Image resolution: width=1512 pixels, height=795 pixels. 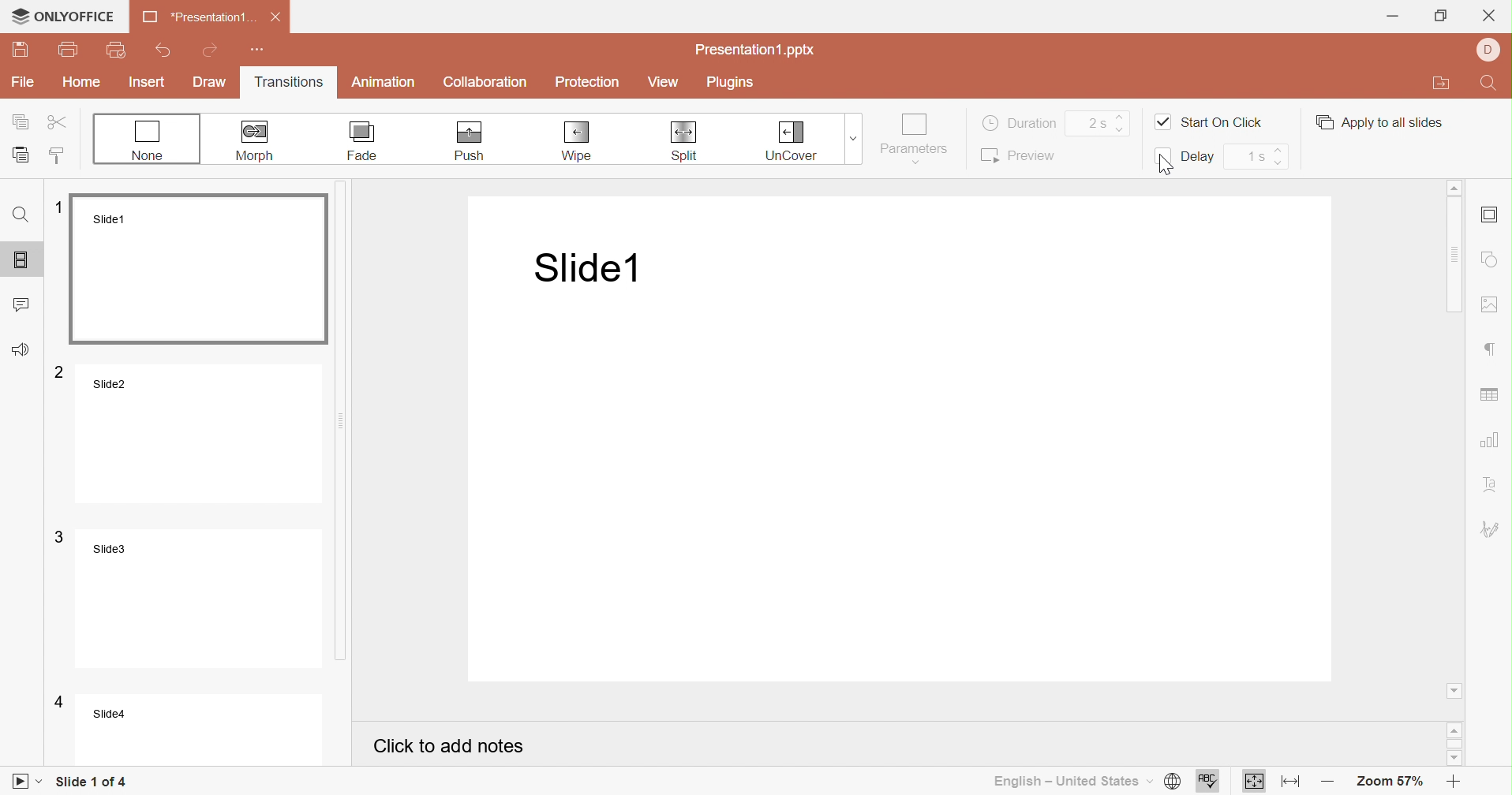 What do you see at coordinates (1172, 162) in the screenshot?
I see `Cursor` at bounding box center [1172, 162].